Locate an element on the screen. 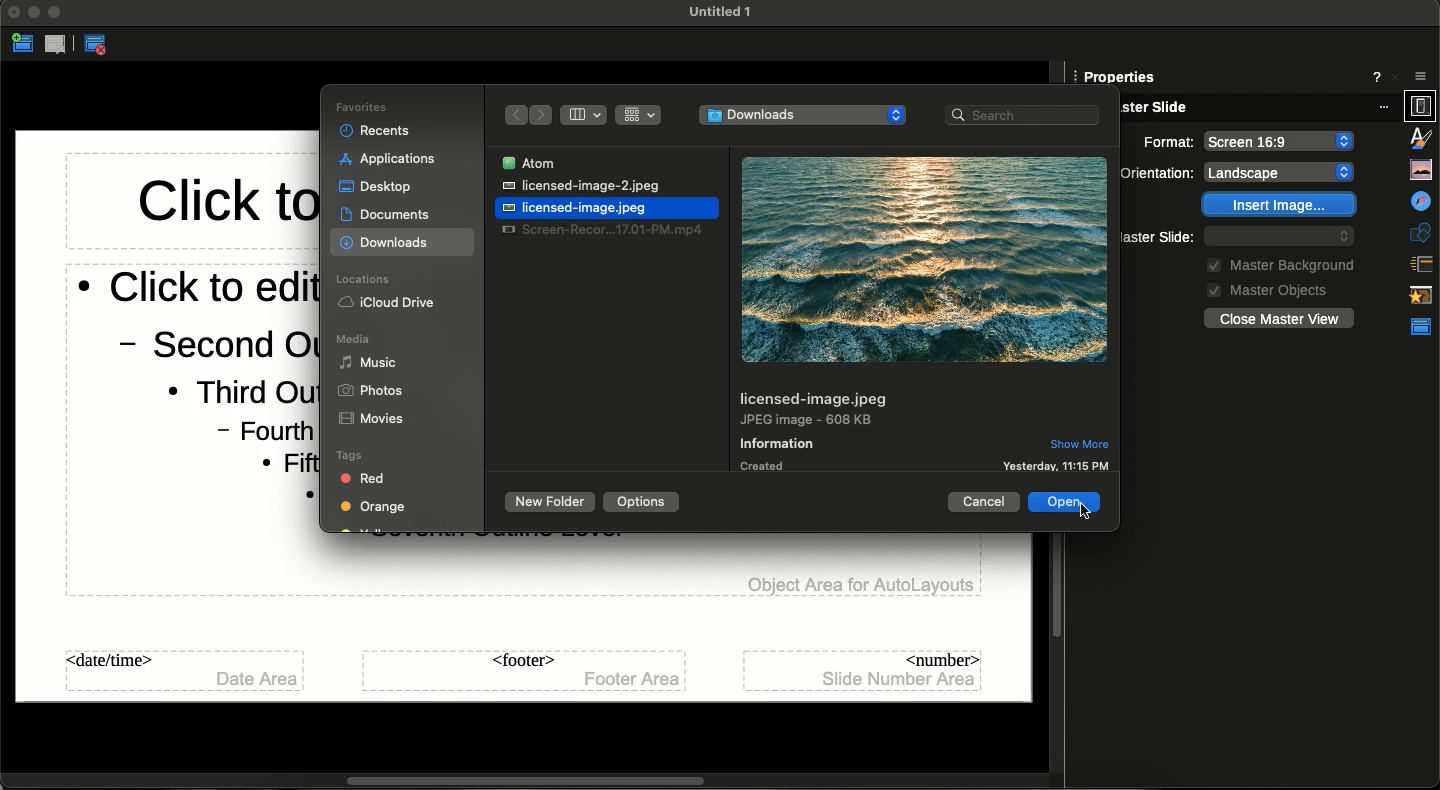 Image resolution: width=1440 pixels, height=790 pixels. File is located at coordinates (529, 160).